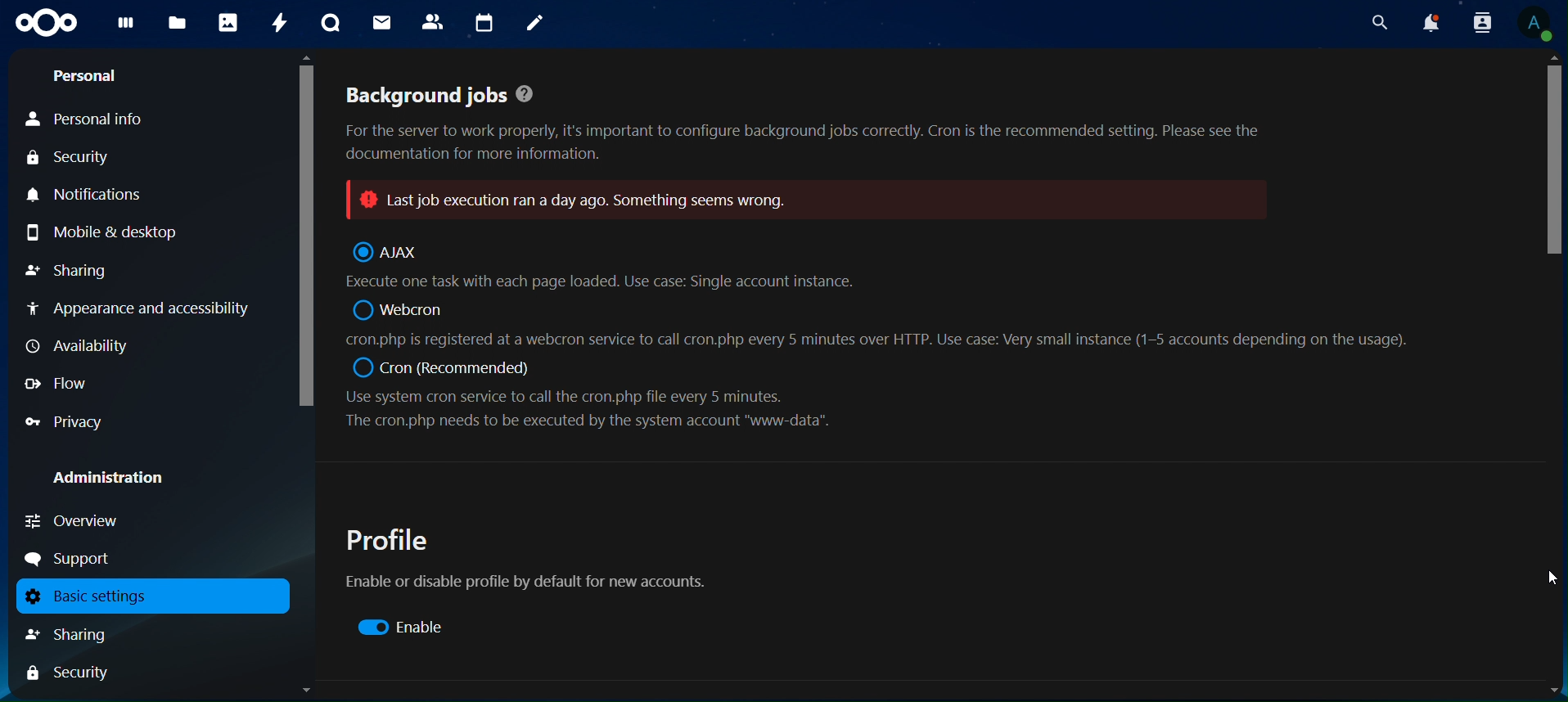 This screenshot has width=1568, height=702. I want to click on overview, so click(74, 520).